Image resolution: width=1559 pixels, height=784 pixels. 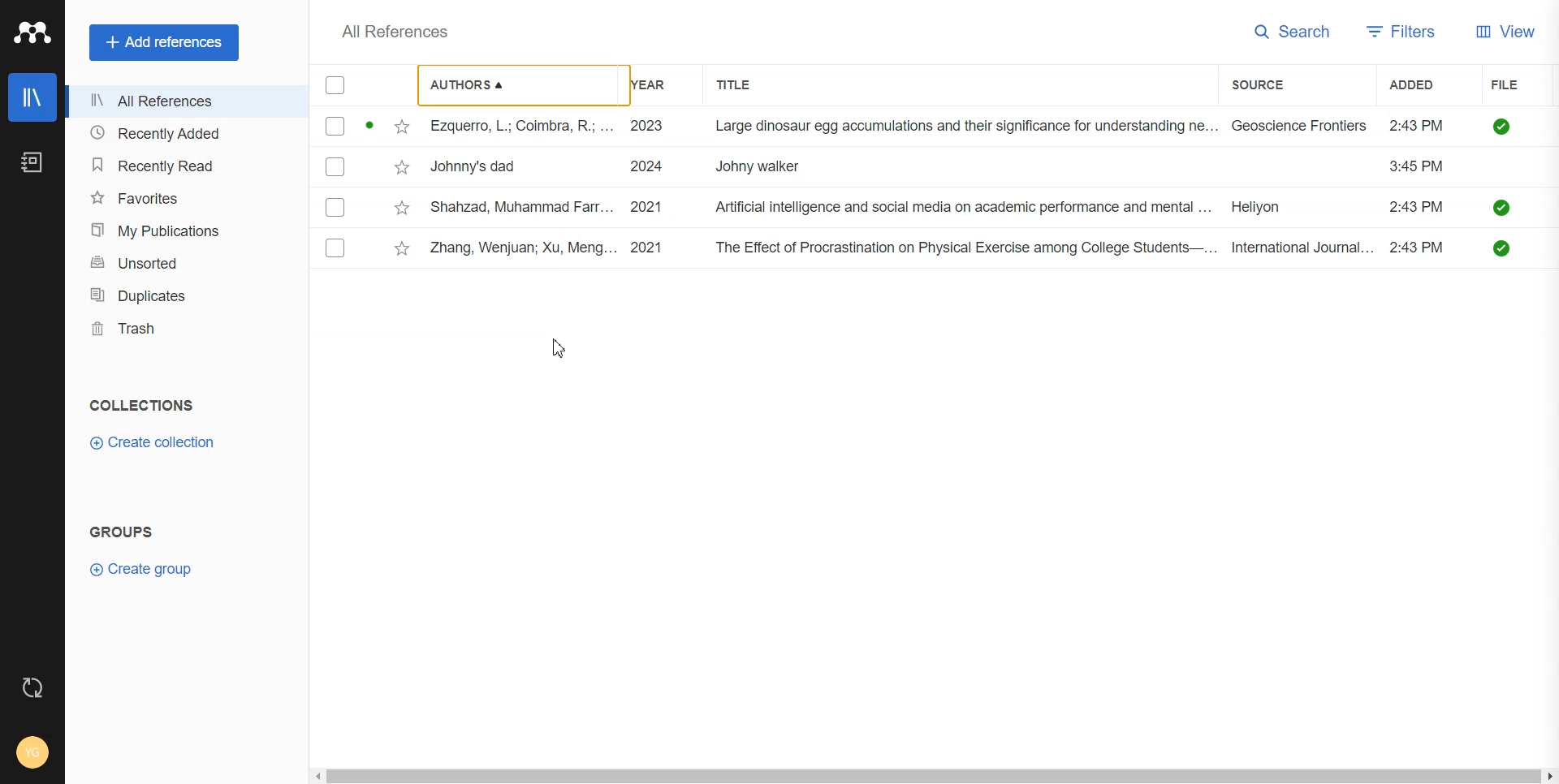 I want to click on unread, so click(x=369, y=127).